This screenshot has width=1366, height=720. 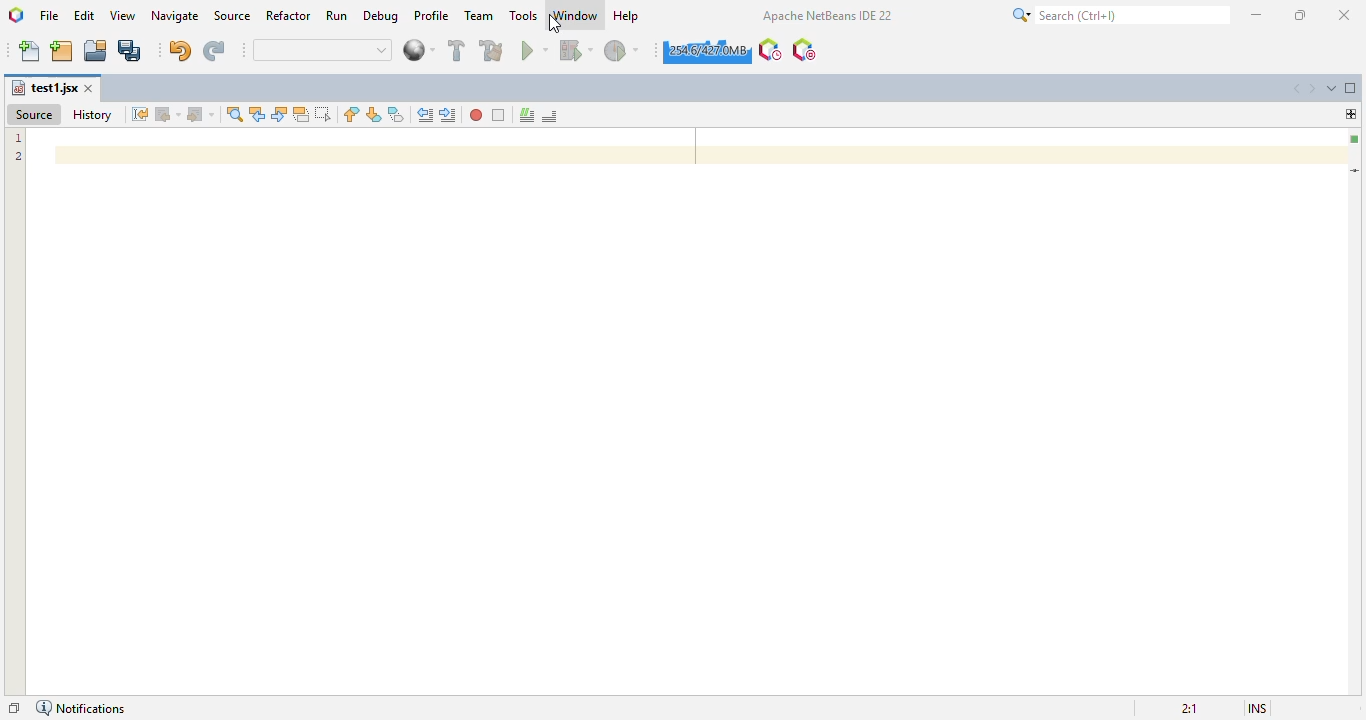 I want to click on profile the IDE, so click(x=771, y=50).